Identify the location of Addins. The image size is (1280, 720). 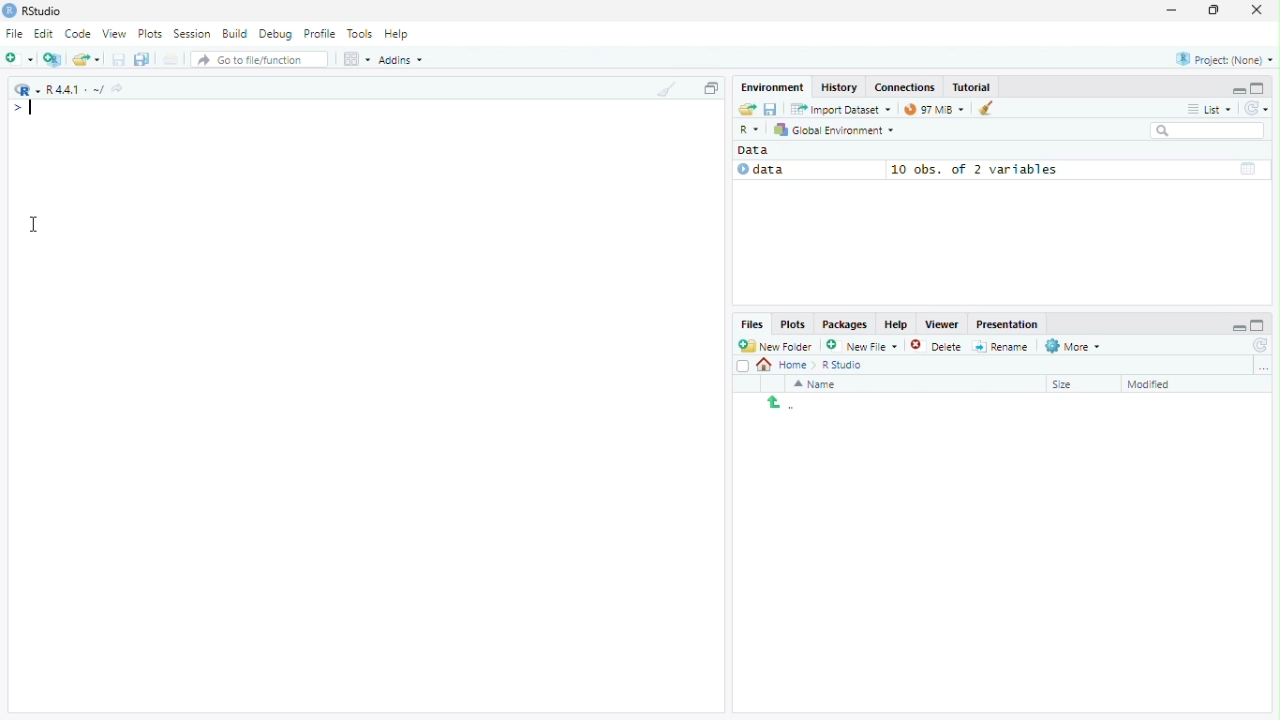
(401, 59).